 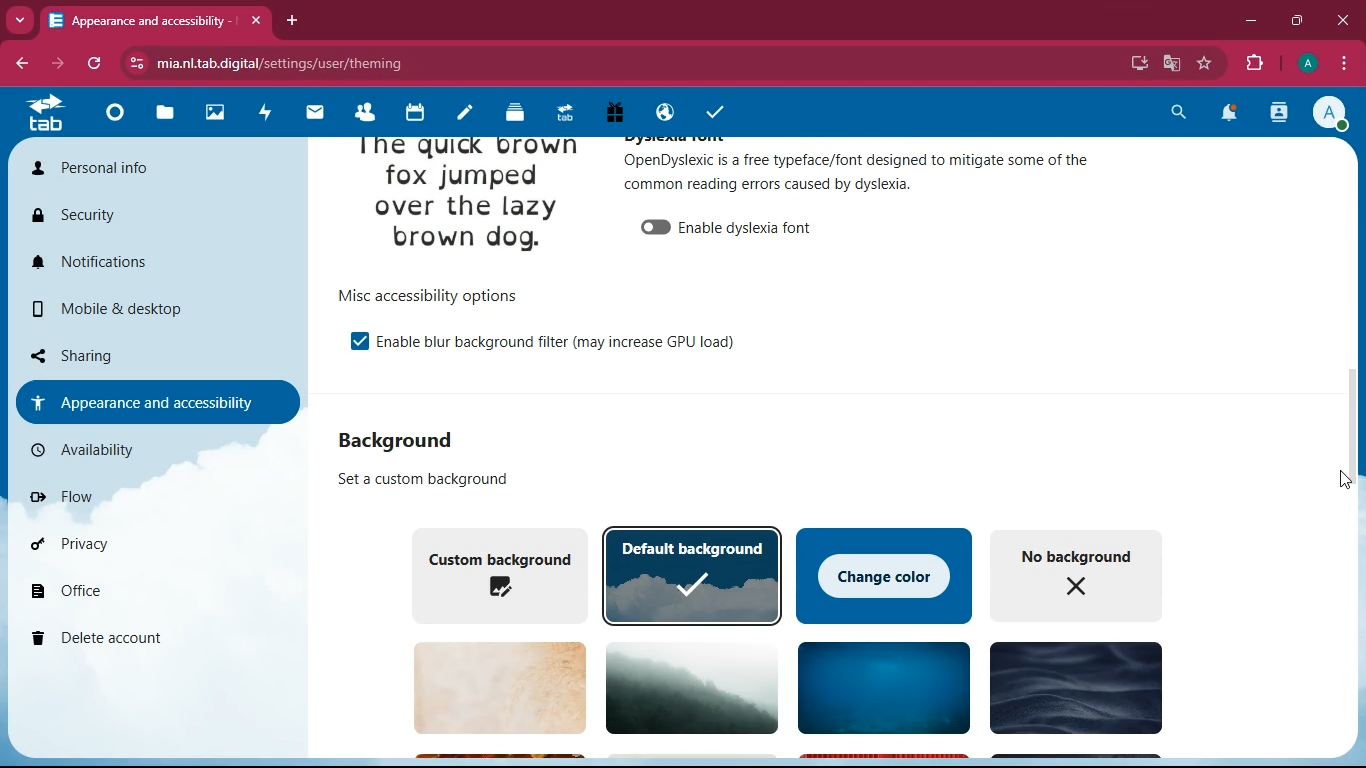 What do you see at coordinates (1135, 64) in the screenshot?
I see `desktop` at bounding box center [1135, 64].